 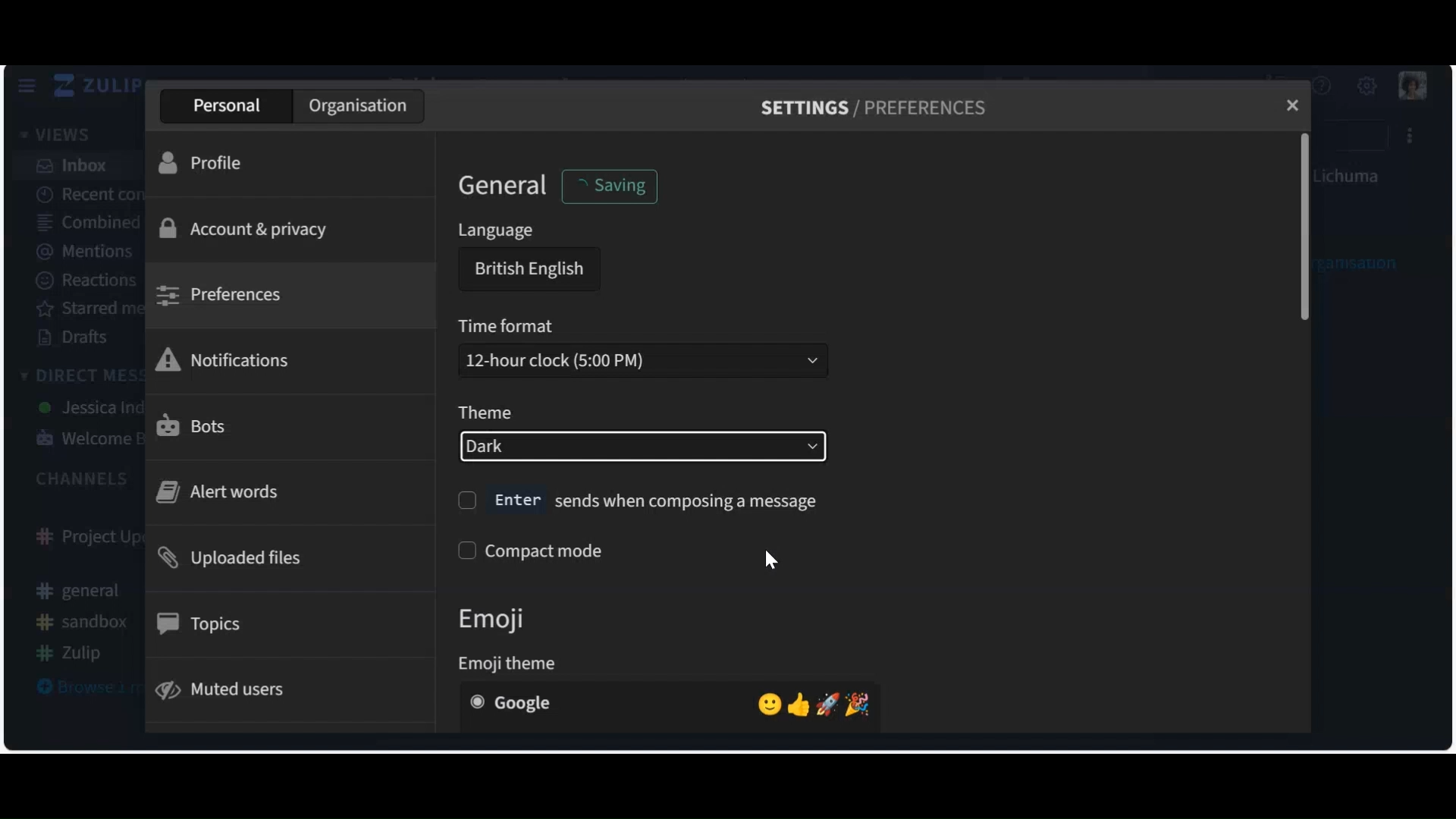 What do you see at coordinates (249, 228) in the screenshot?
I see `Account Privacy` at bounding box center [249, 228].